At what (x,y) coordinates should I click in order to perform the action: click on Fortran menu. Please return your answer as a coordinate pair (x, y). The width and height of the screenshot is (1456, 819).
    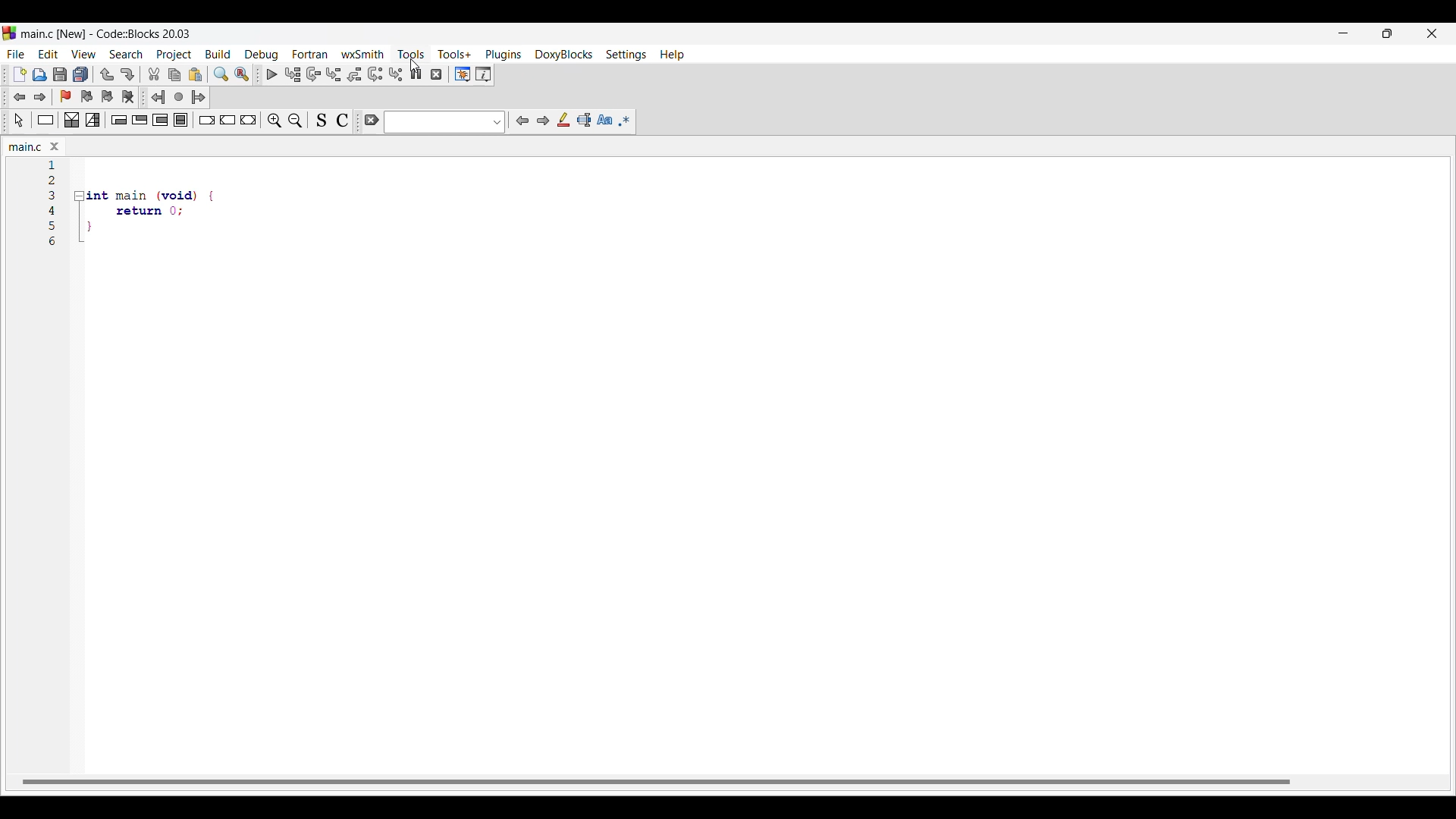
    Looking at the image, I should click on (310, 55).